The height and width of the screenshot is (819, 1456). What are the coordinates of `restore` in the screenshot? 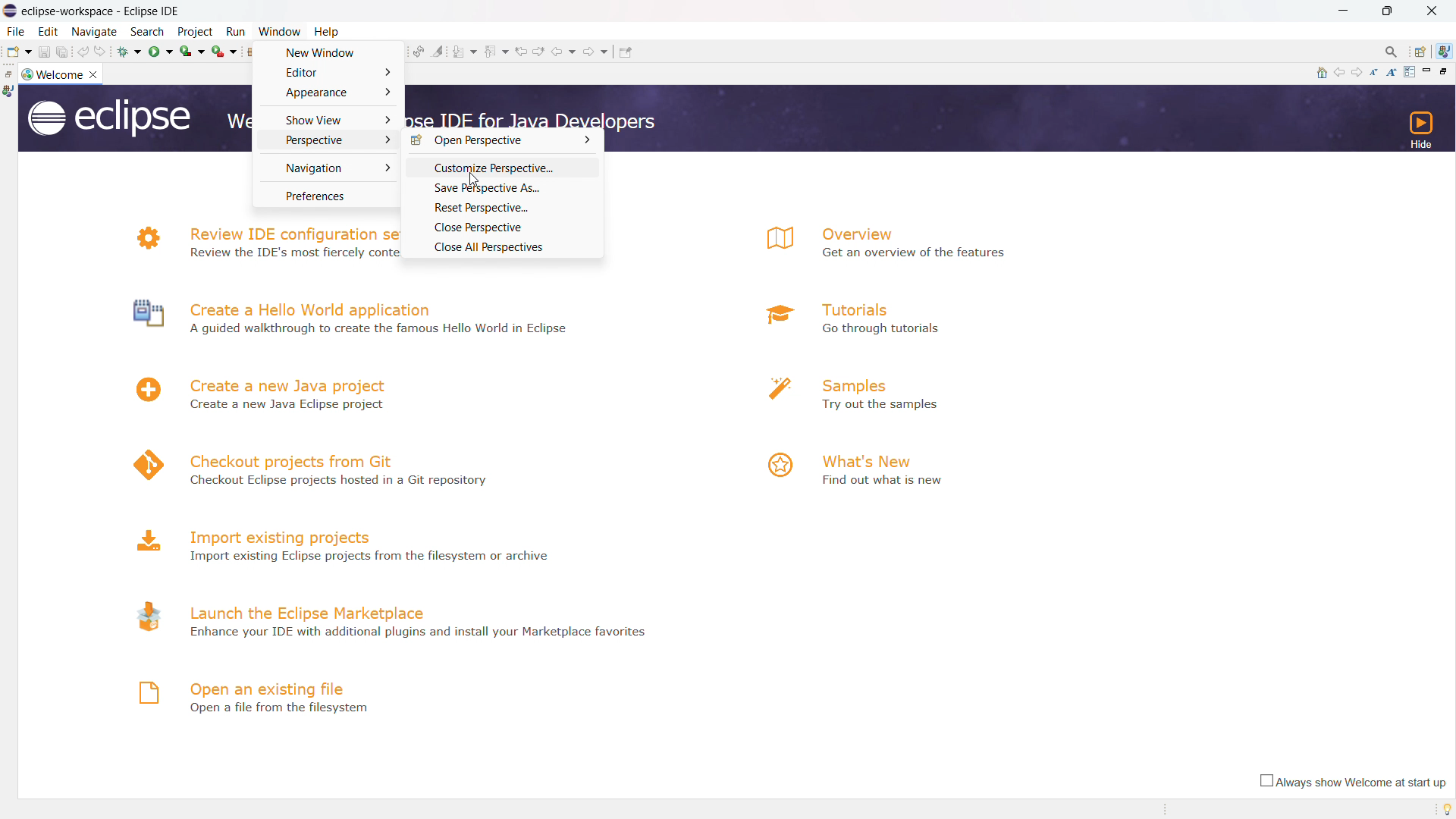 It's located at (9, 74).